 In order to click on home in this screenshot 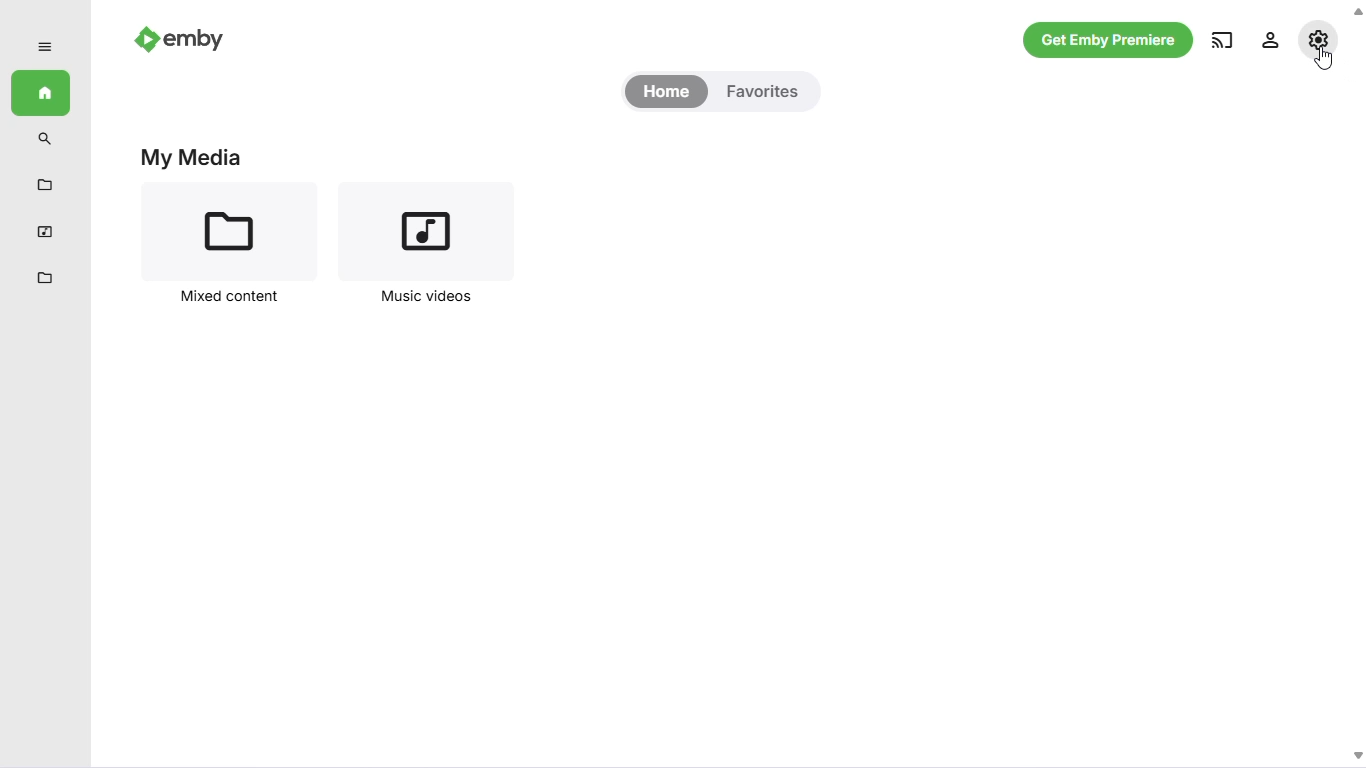, I will do `click(667, 91)`.